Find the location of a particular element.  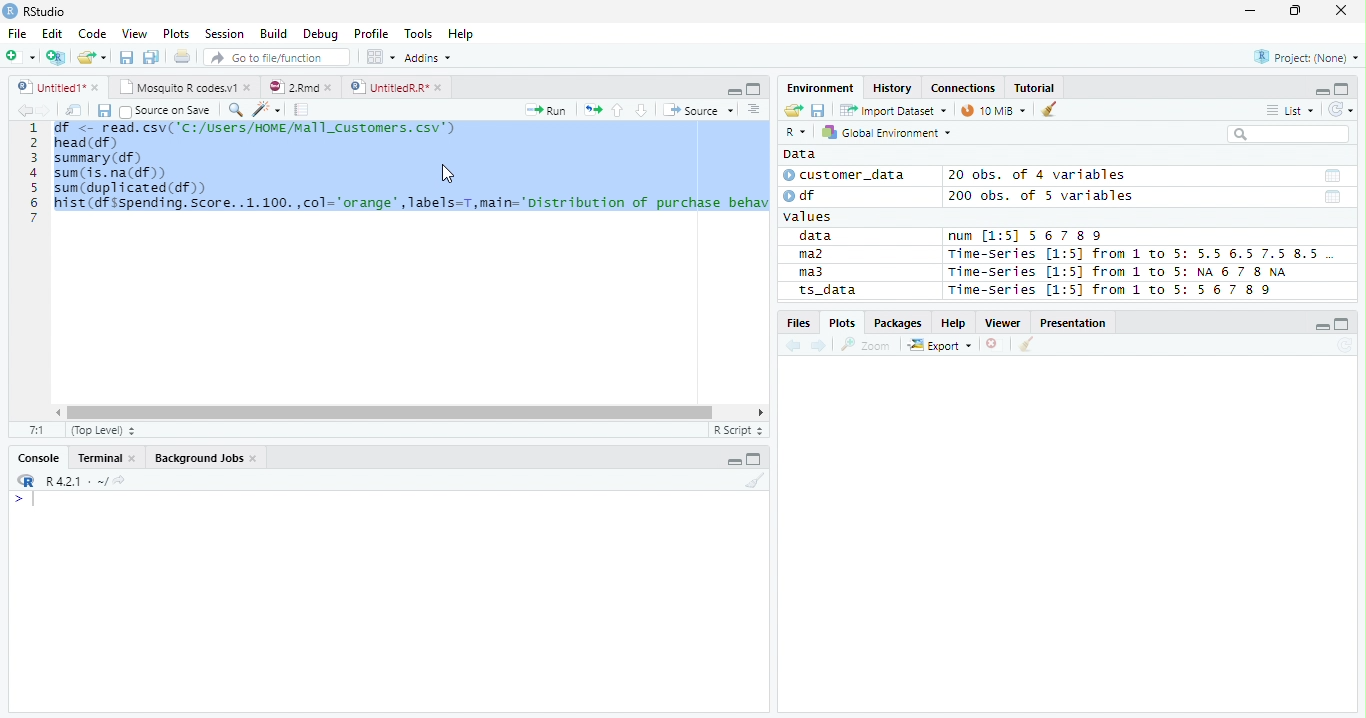

Minimize is located at coordinates (732, 90).